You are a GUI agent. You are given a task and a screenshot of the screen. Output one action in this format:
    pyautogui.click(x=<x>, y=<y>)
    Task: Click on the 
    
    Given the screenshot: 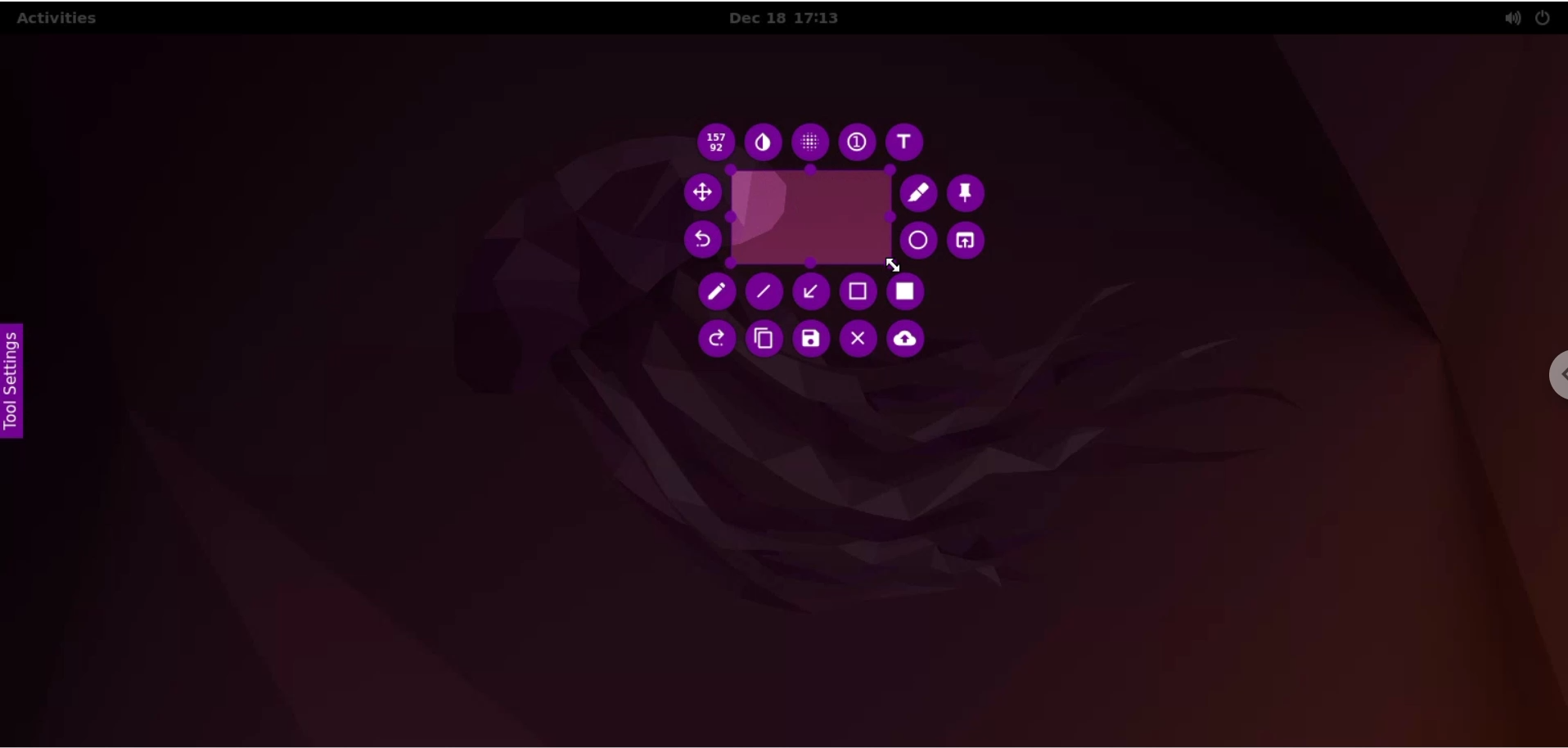 What is the action you would take?
    pyautogui.click(x=713, y=340)
    